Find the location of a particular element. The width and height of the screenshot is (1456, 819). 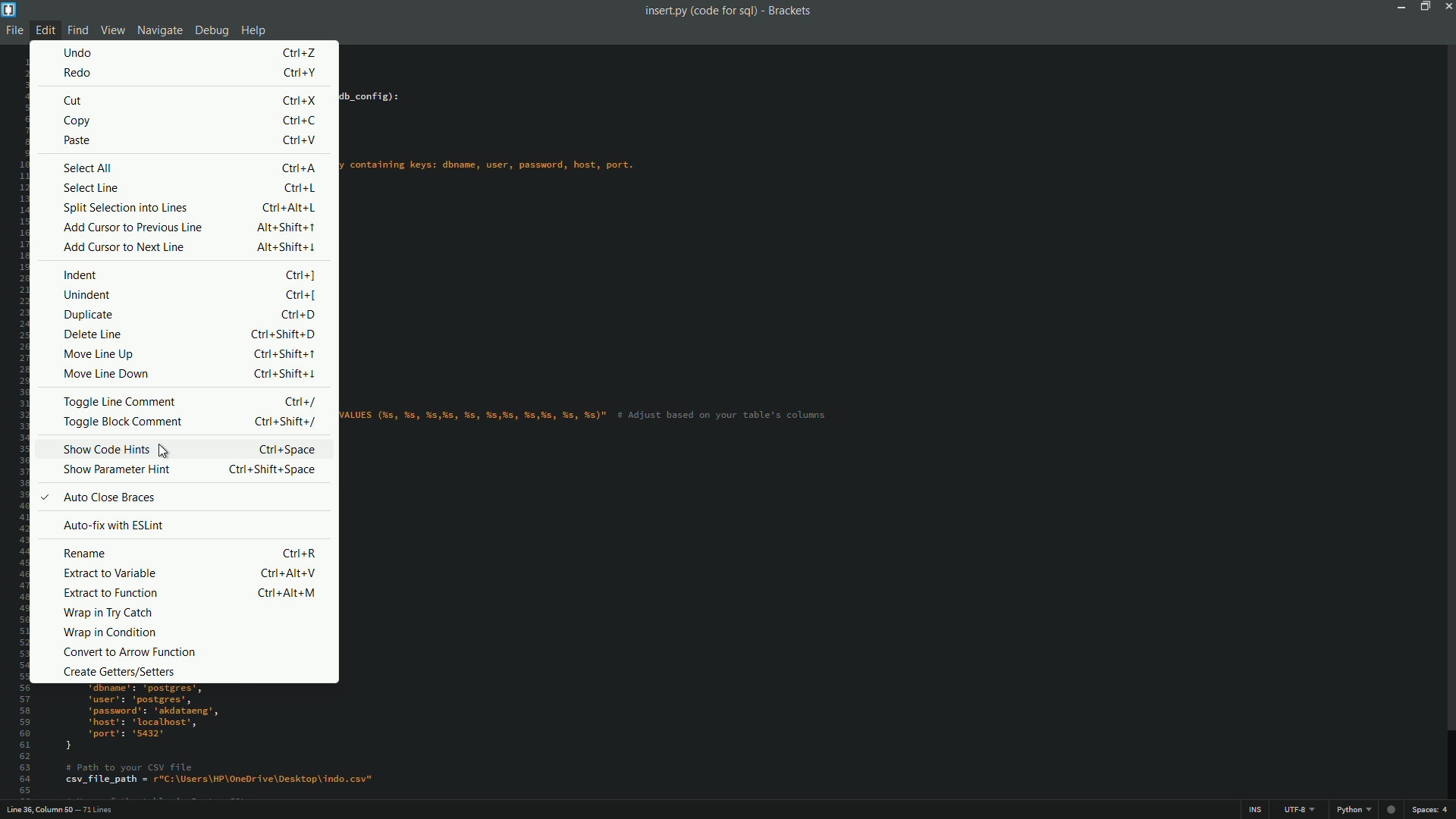

delete line is located at coordinates (93, 334).